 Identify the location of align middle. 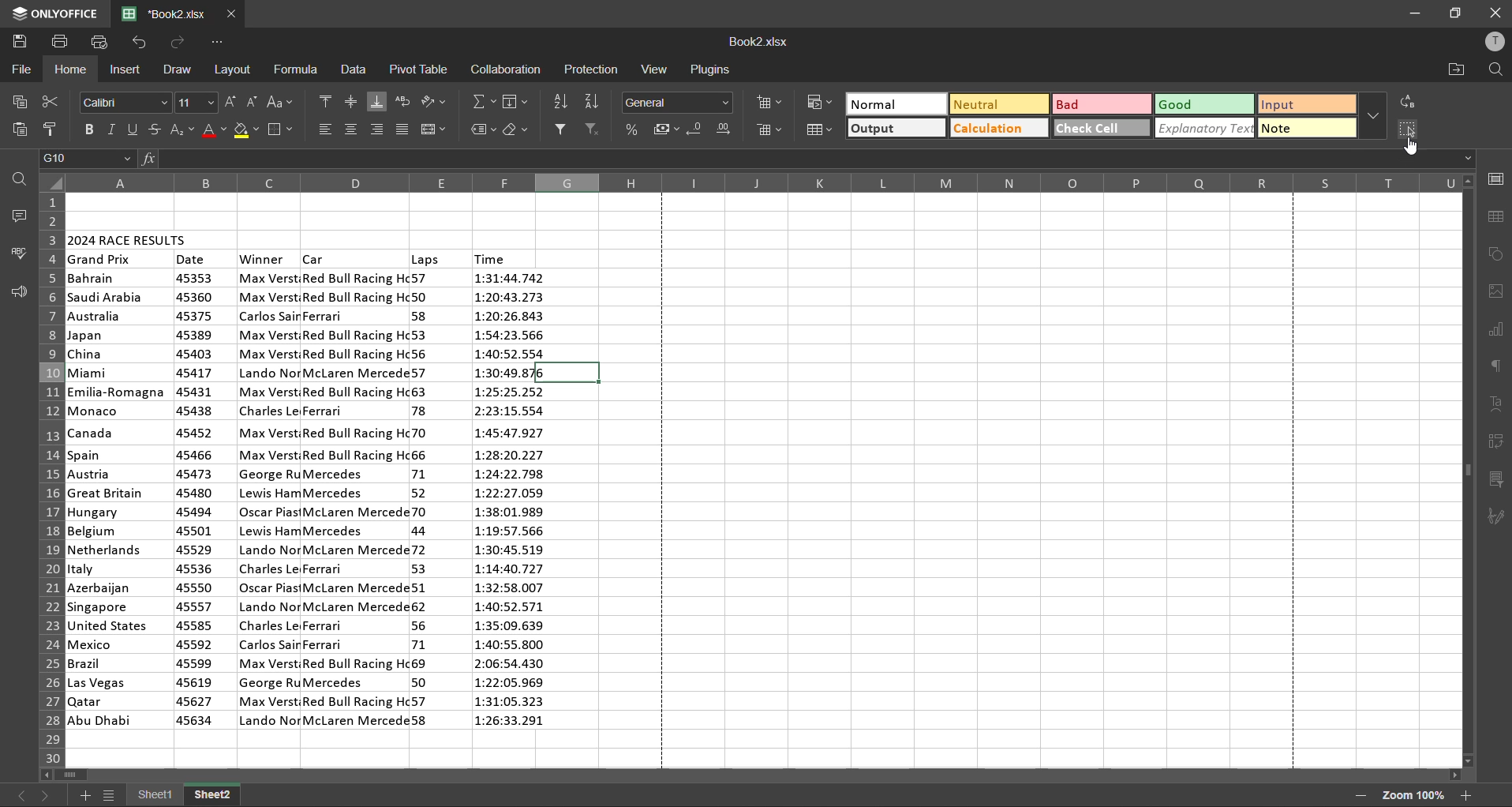
(350, 103).